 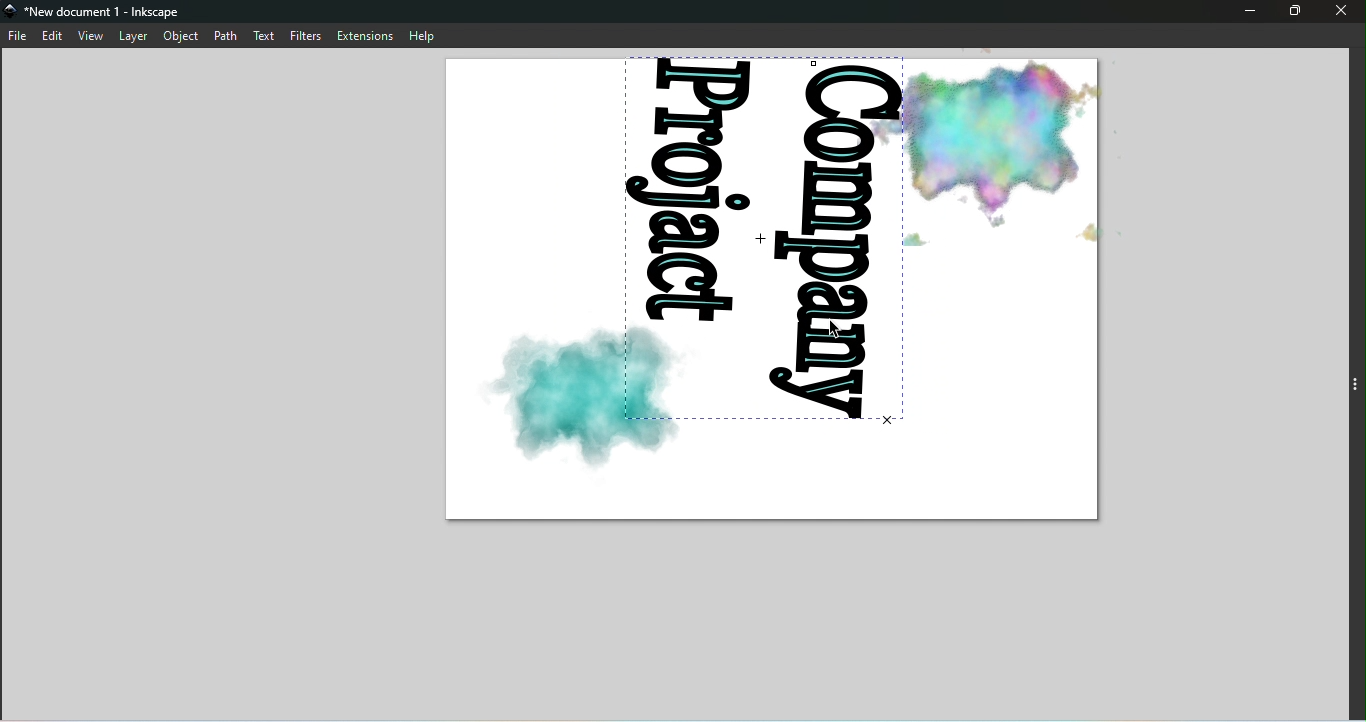 I want to click on Filters, so click(x=309, y=34).